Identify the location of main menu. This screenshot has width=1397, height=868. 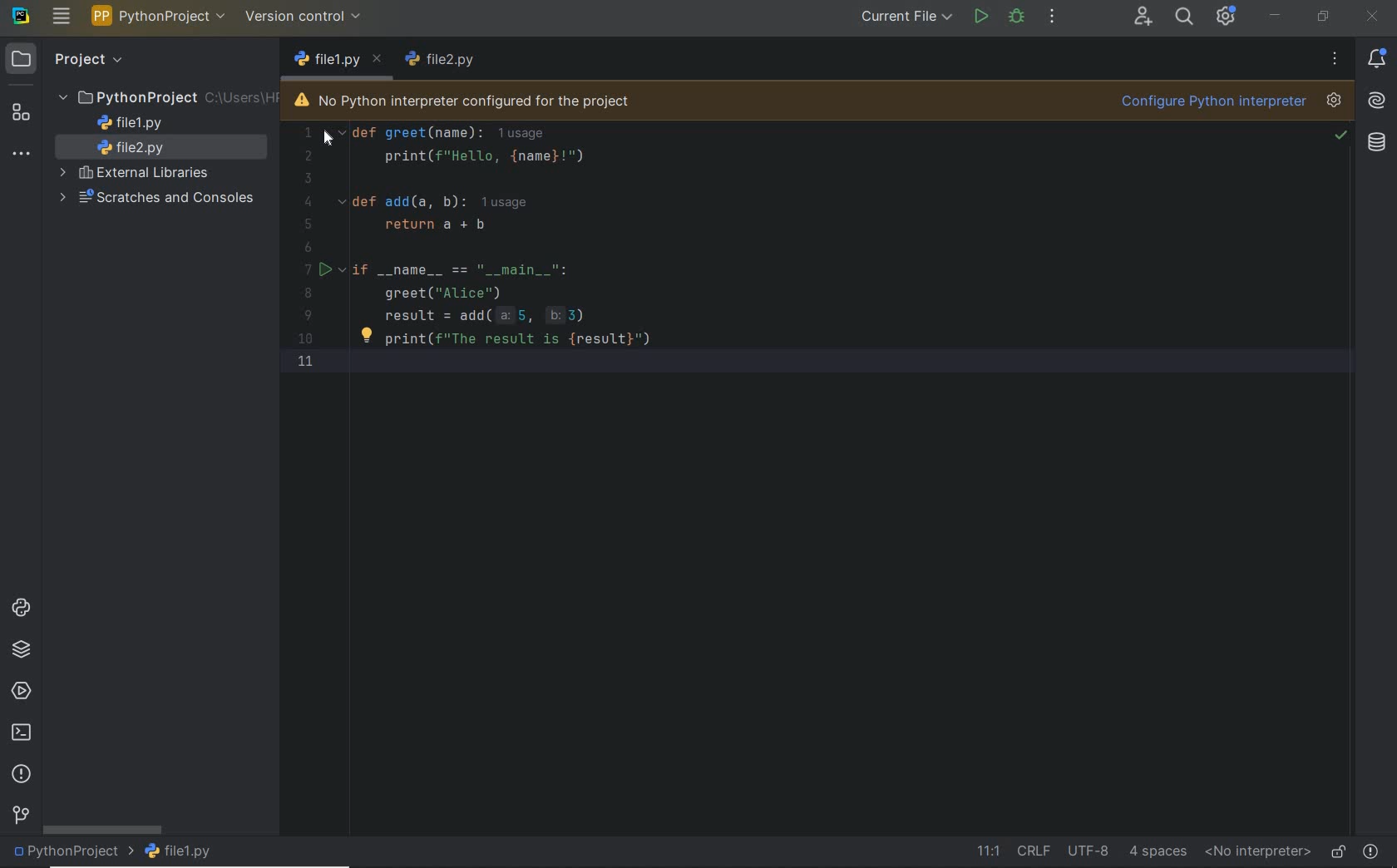
(62, 18).